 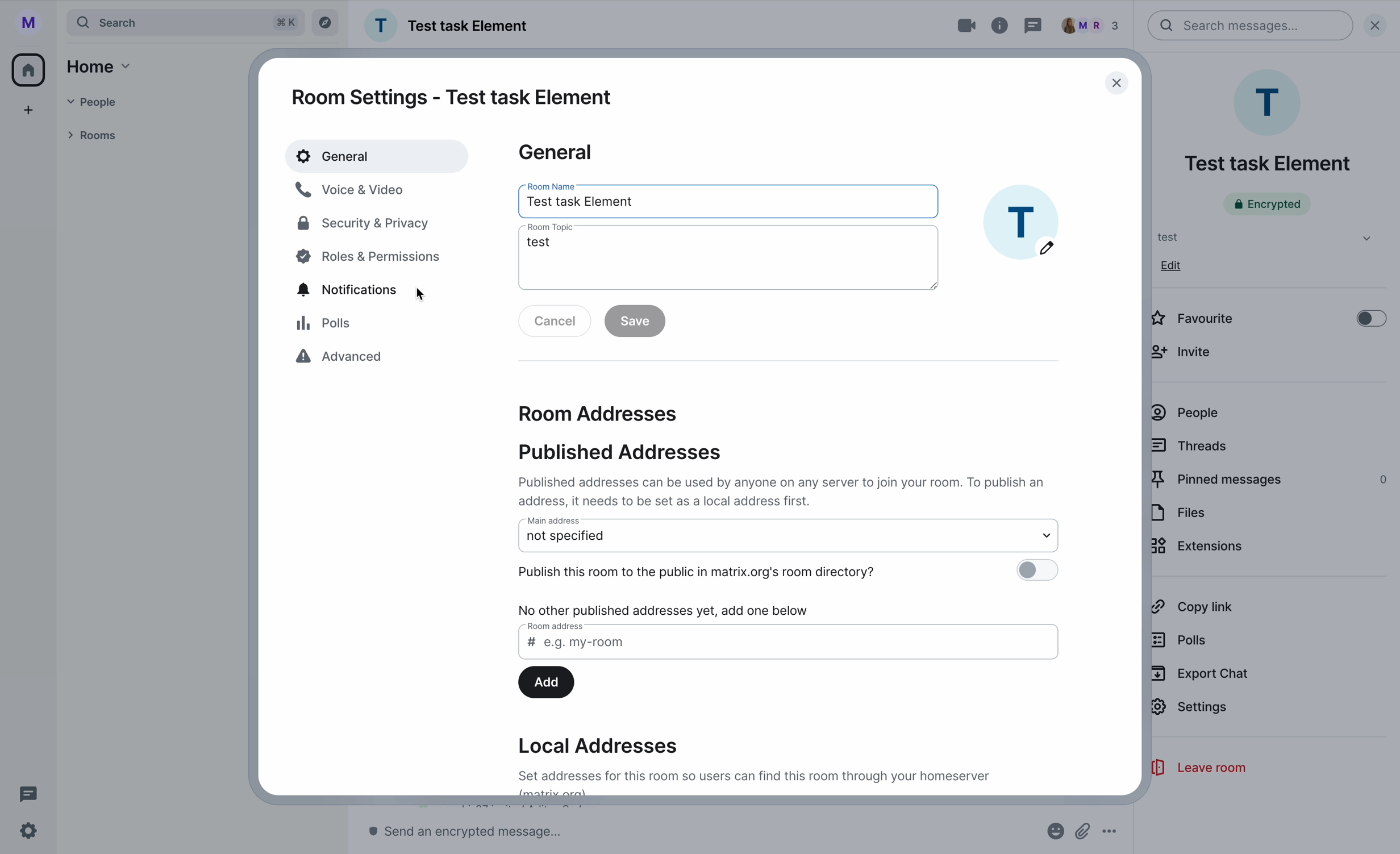 What do you see at coordinates (1191, 713) in the screenshot?
I see `click on settings` at bounding box center [1191, 713].